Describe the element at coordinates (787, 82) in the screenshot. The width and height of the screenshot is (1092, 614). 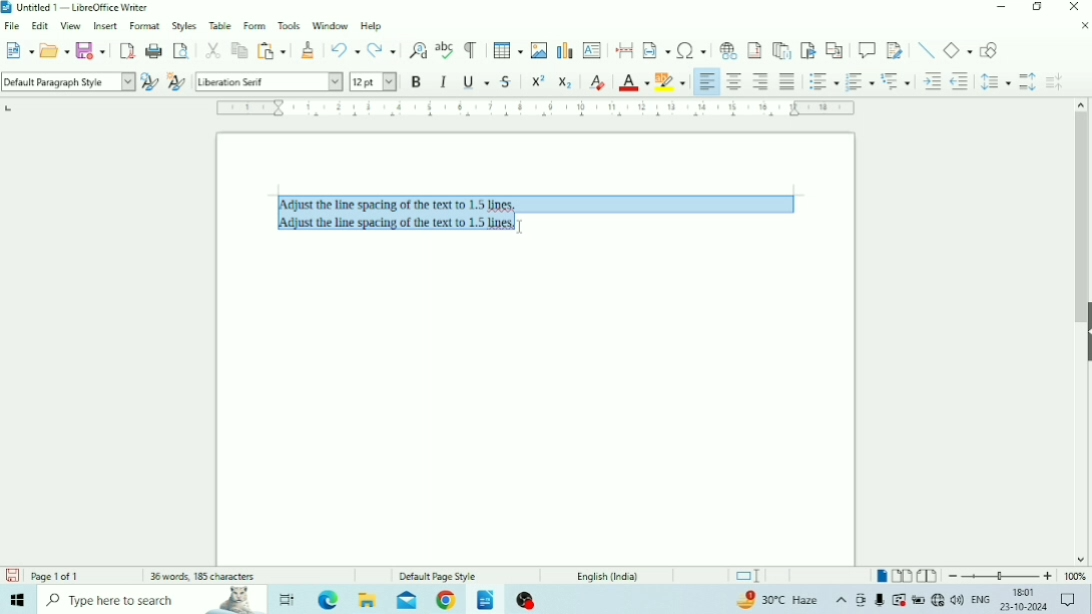
I see `Justified` at that location.